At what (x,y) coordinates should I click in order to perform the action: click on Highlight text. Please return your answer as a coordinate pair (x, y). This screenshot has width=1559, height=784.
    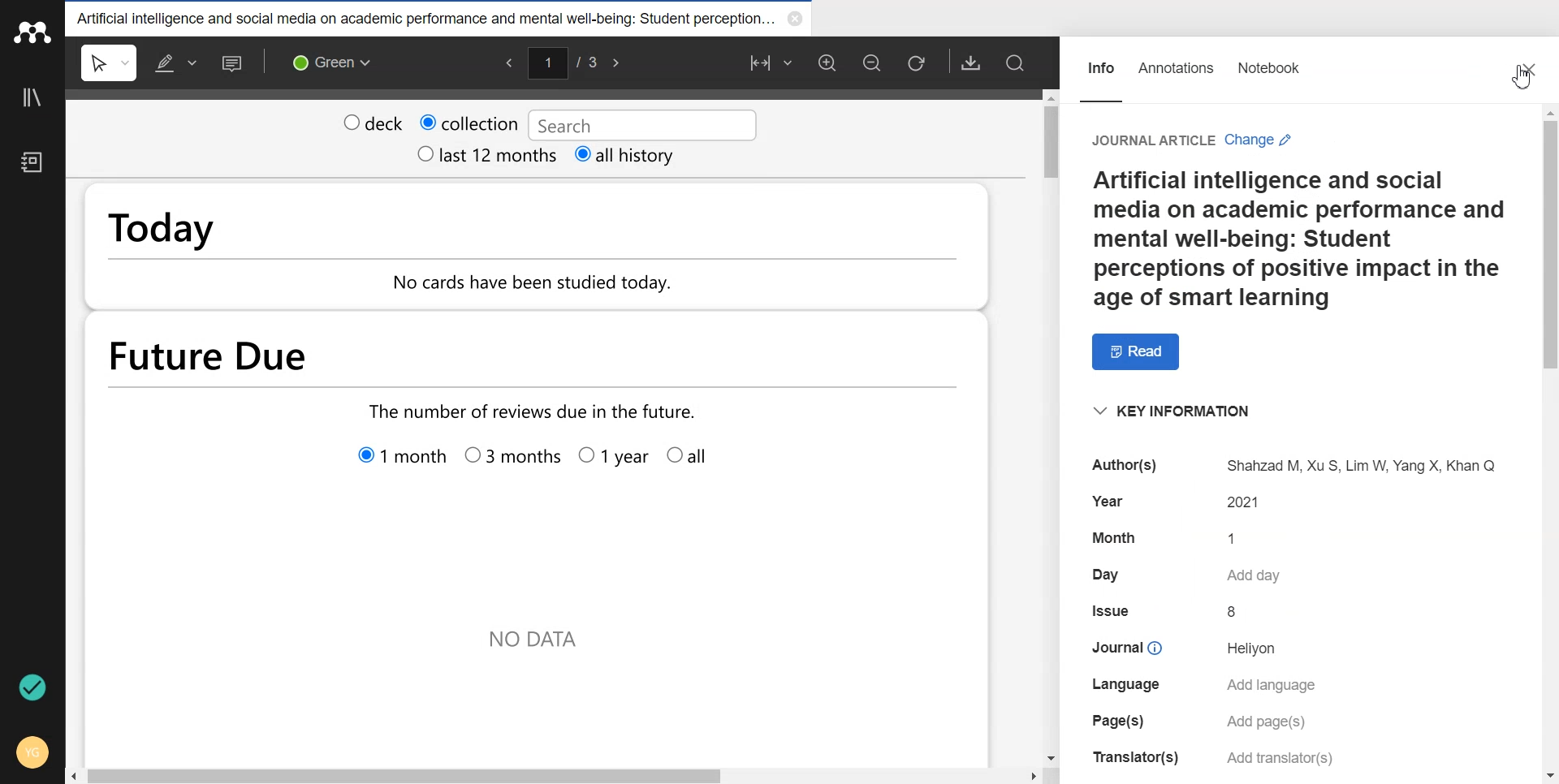
    Looking at the image, I should click on (176, 62).